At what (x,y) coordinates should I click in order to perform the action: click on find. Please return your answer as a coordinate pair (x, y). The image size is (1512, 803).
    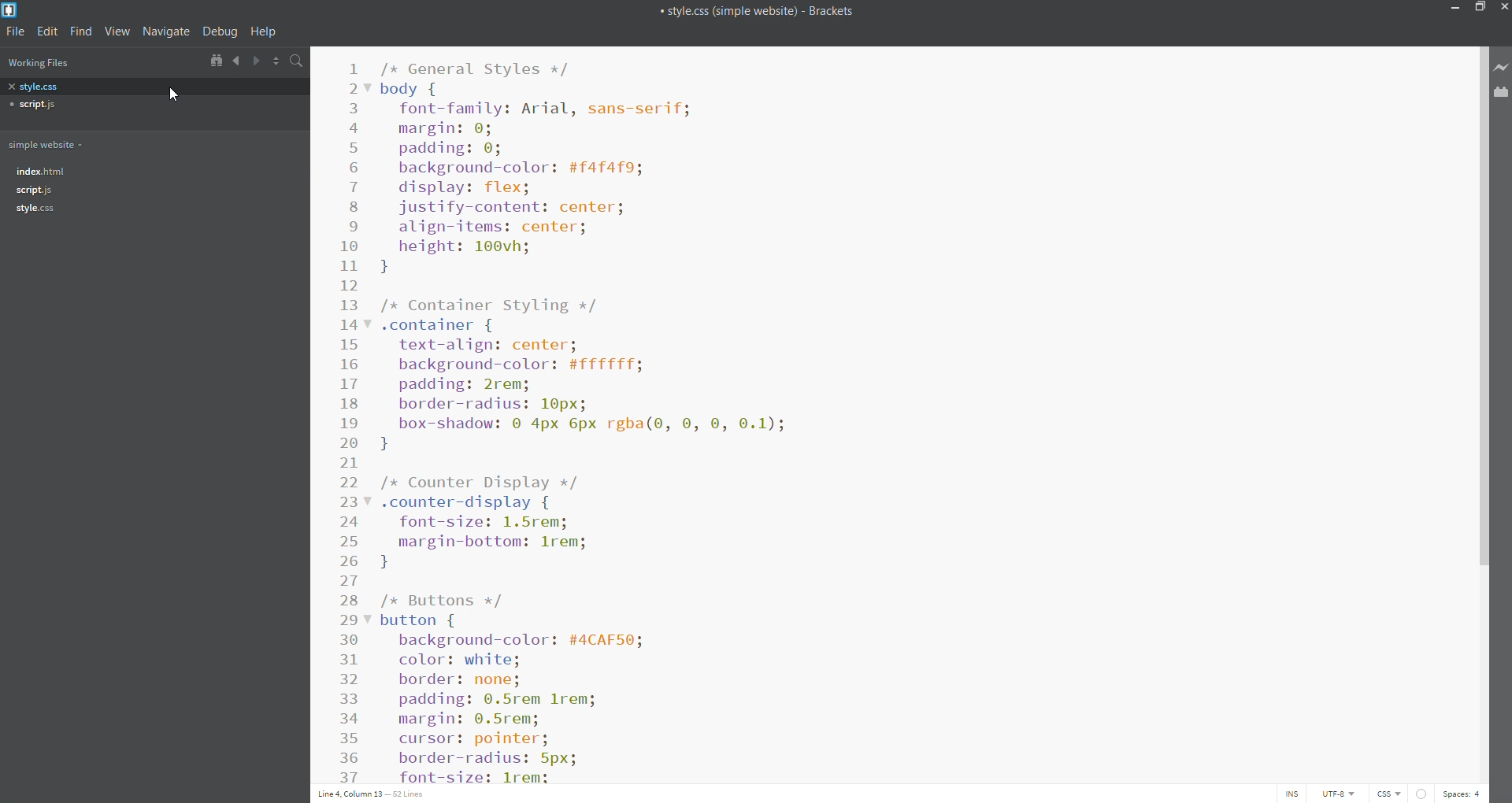
    Looking at the image, I should click on (82, 32).